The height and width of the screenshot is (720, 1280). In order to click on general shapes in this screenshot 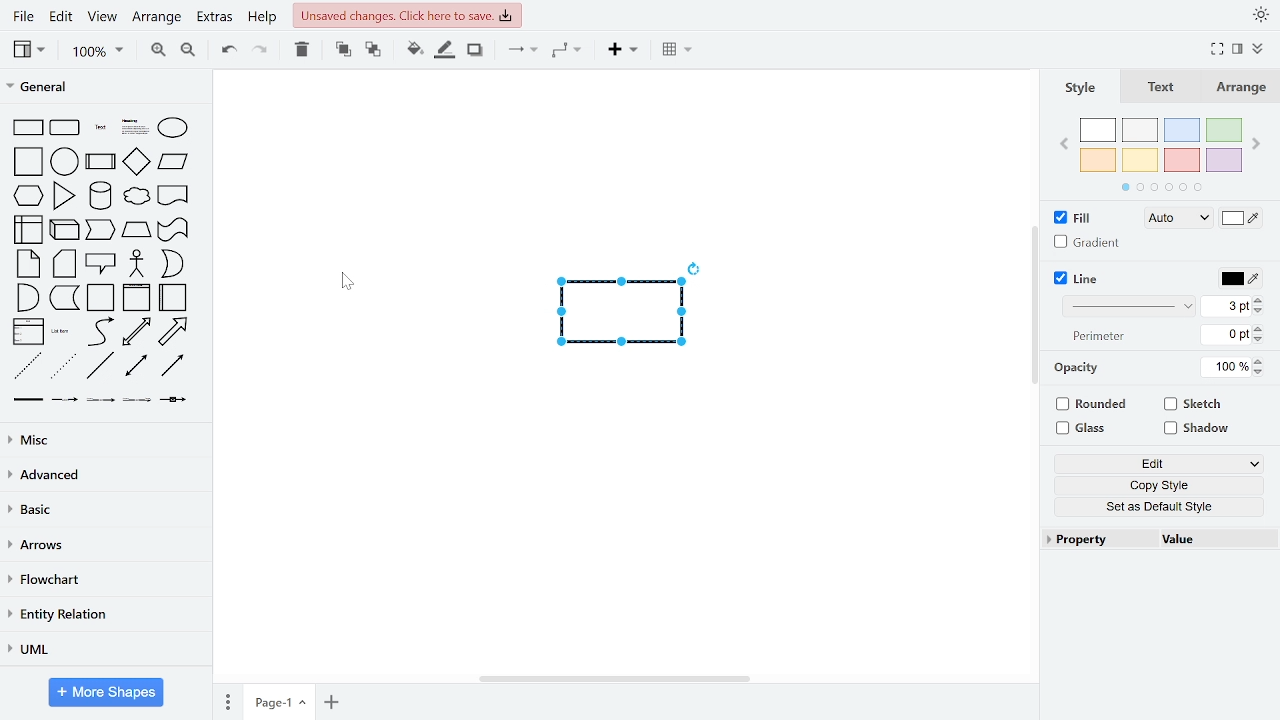, I will do `click(61, 365)`.